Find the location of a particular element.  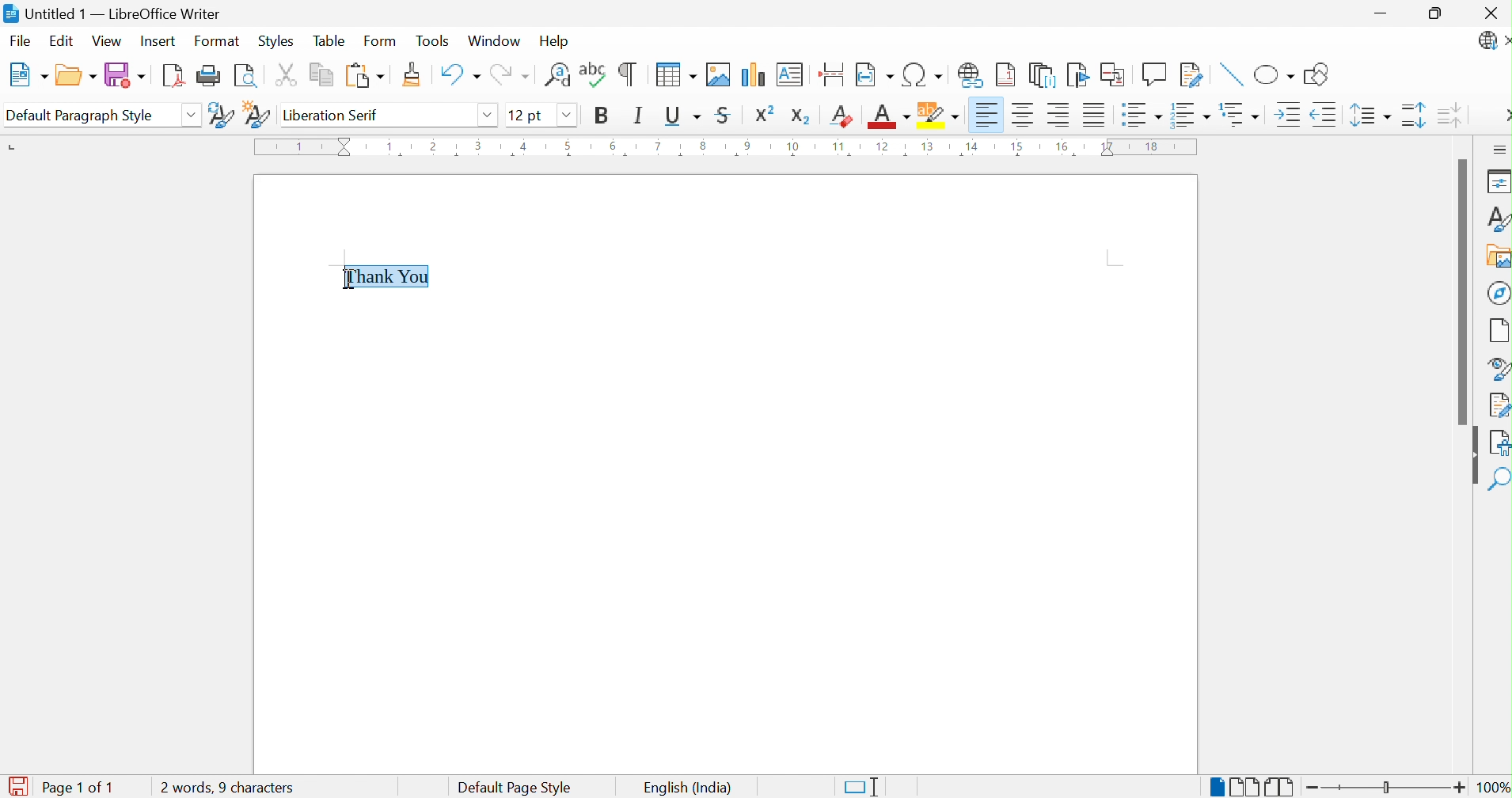

English (India) is located at coordinates (686, 787).